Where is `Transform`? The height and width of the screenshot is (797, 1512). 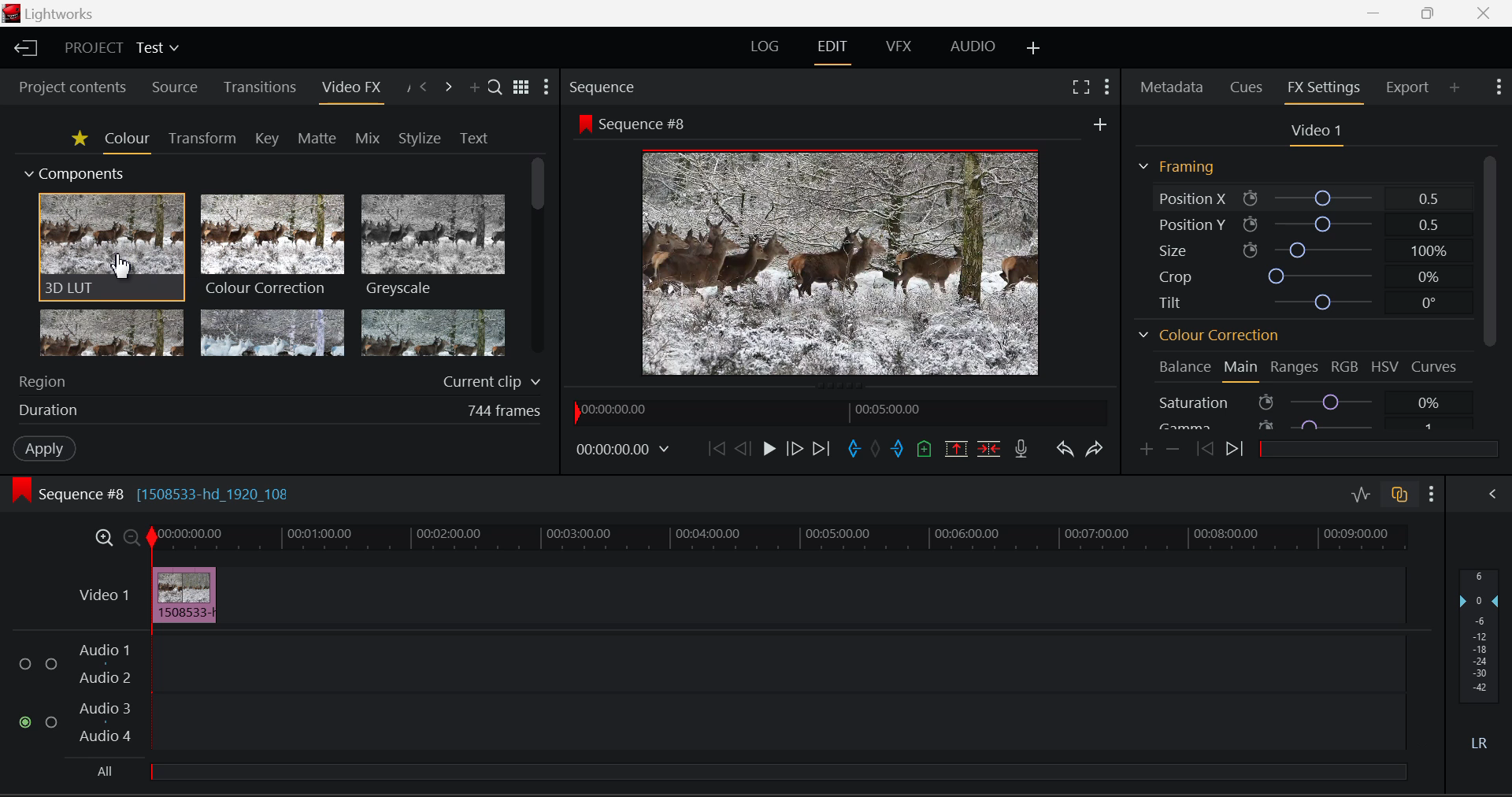 Transform is located at coordinates (200, 139).